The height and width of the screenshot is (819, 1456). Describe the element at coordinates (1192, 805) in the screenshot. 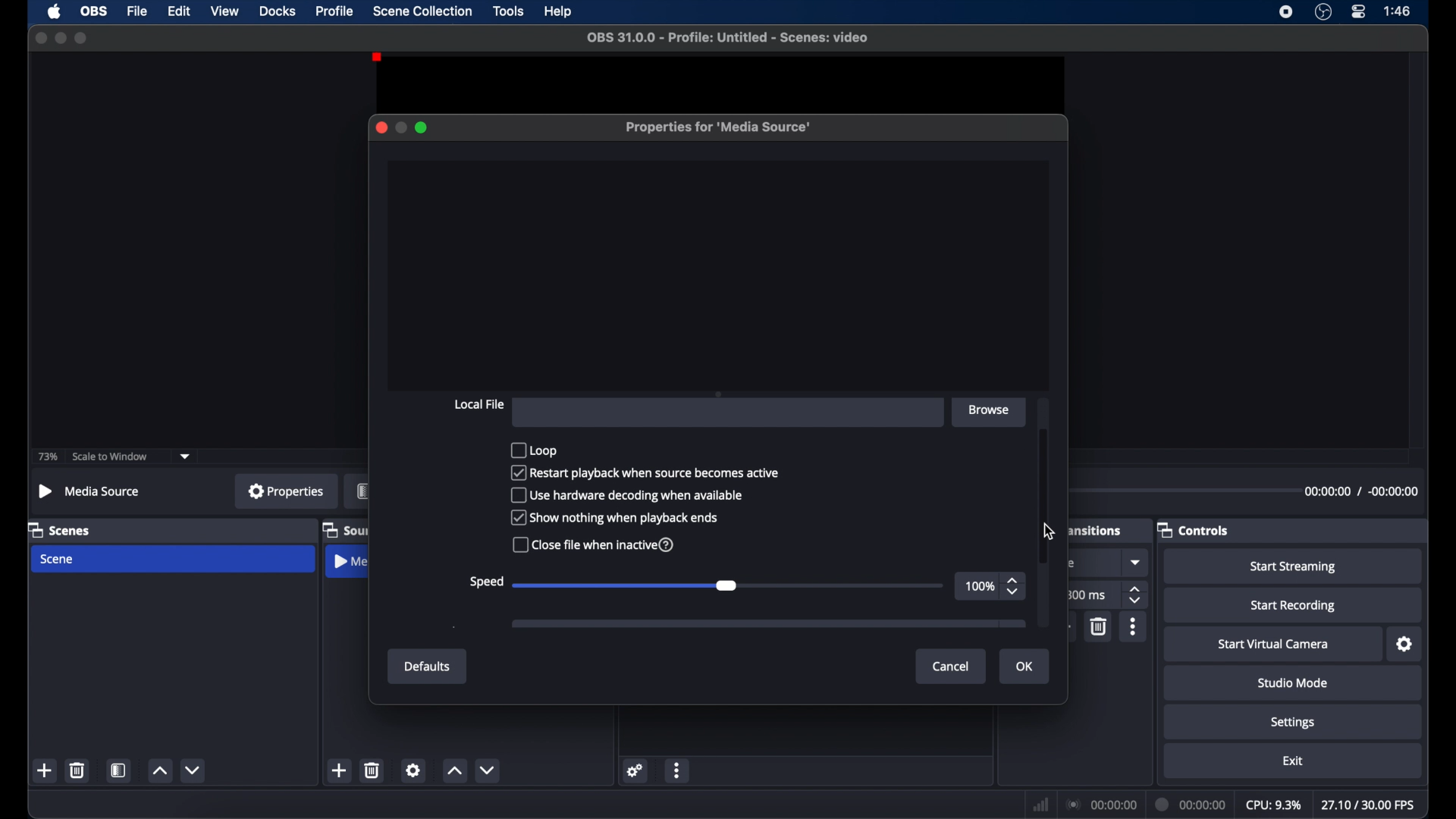

I see `duration` at that location.